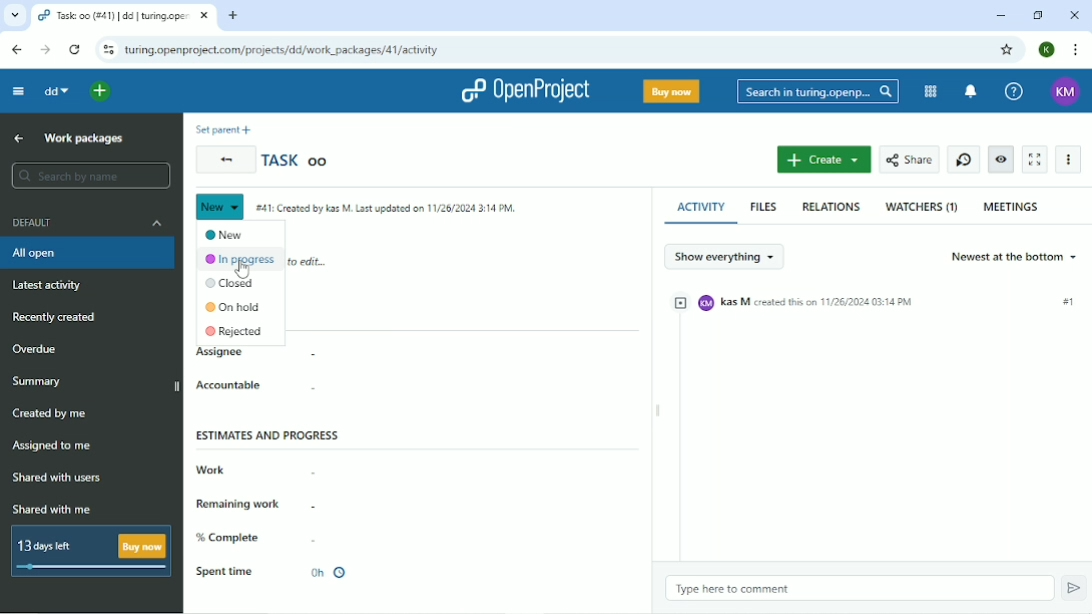 Image resolution: width=1092 pixels, height=614 pixels. What do you see at coordinates (832, 205) in the screenshot?
I see `RELATIONS` at bounding box center [832, 205].